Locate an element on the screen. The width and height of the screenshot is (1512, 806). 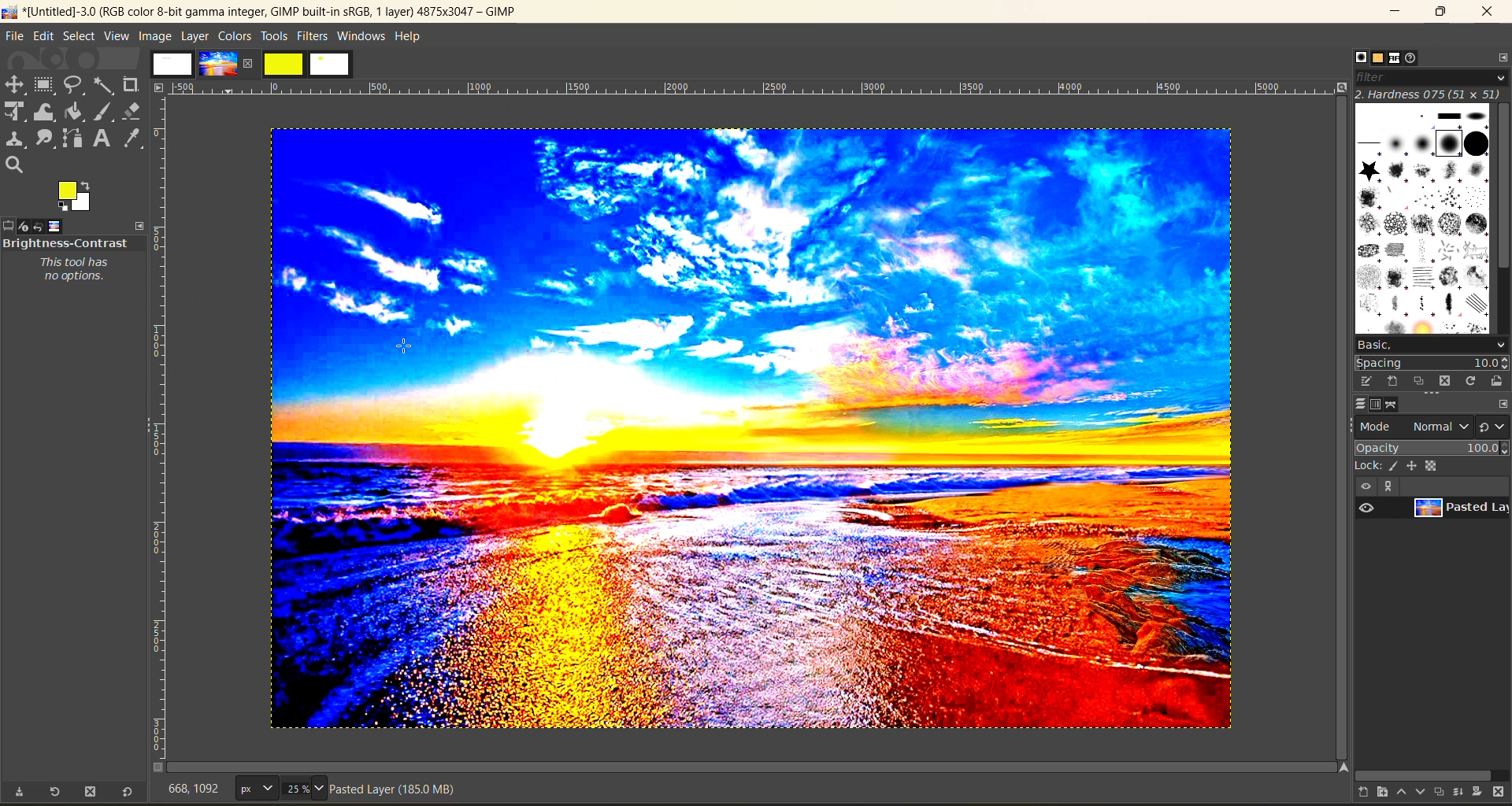
open brush as image is located at coordinates (1499, 382).